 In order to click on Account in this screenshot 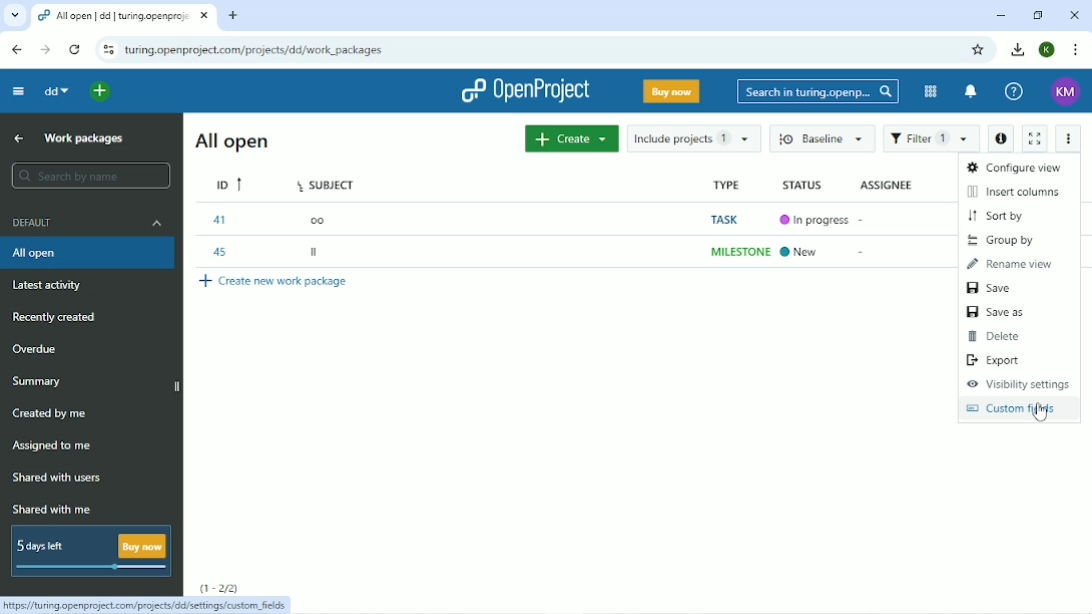, I will do `click(1048, 49)`.